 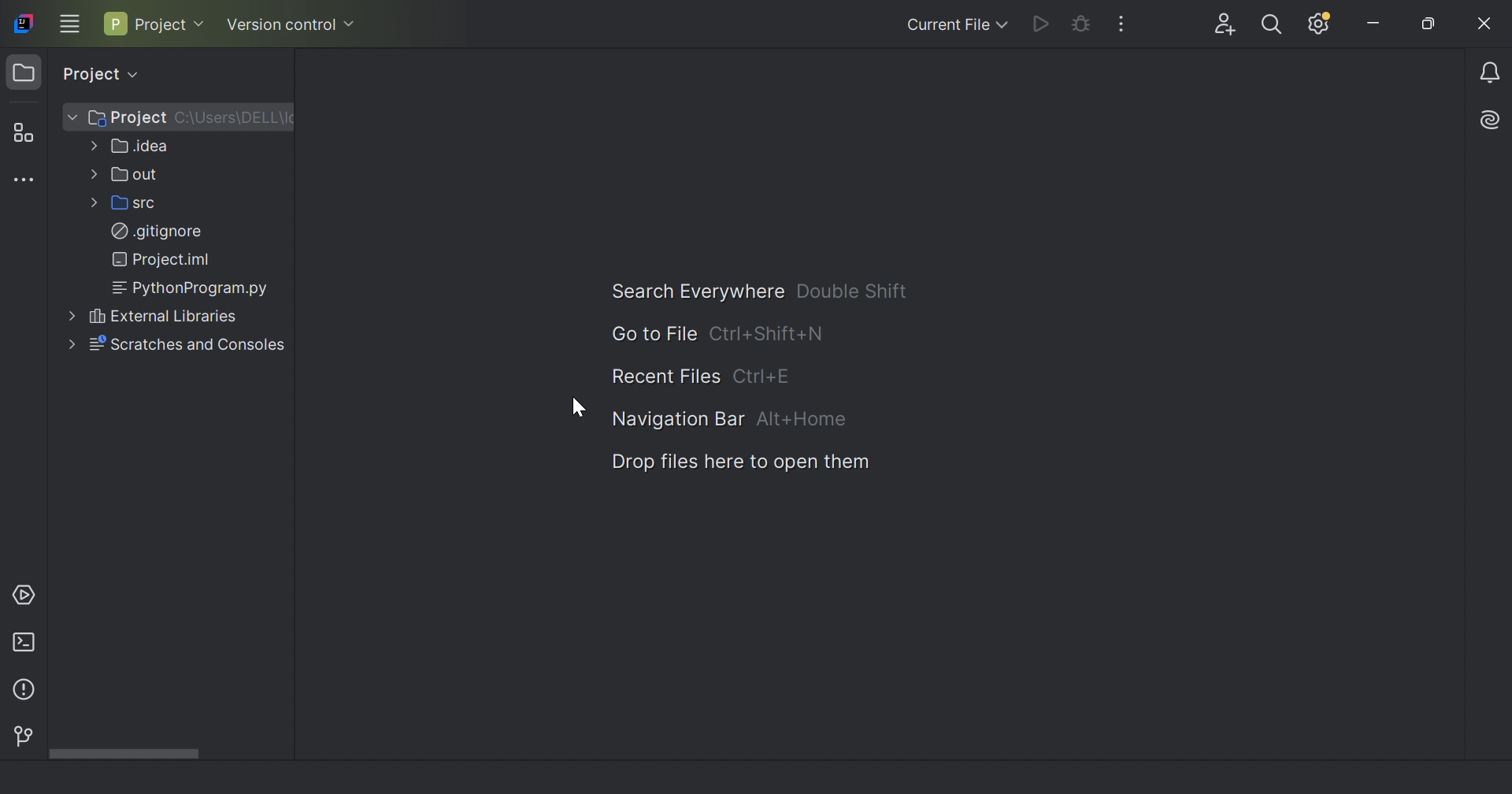 I want to click on Project, so click(x=24, y=73).